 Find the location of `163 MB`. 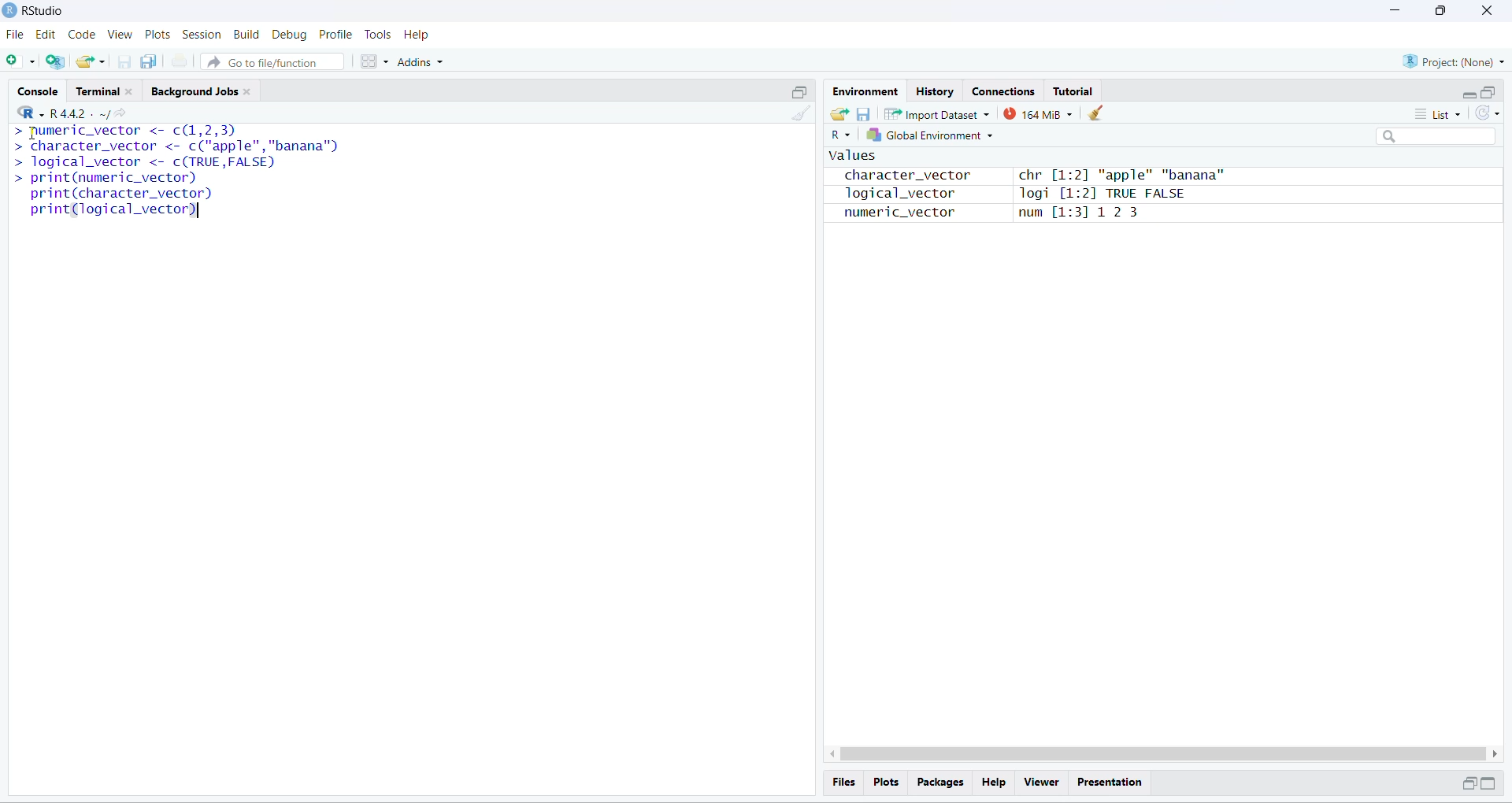

163 MB is located at coordinates (1038, 114).